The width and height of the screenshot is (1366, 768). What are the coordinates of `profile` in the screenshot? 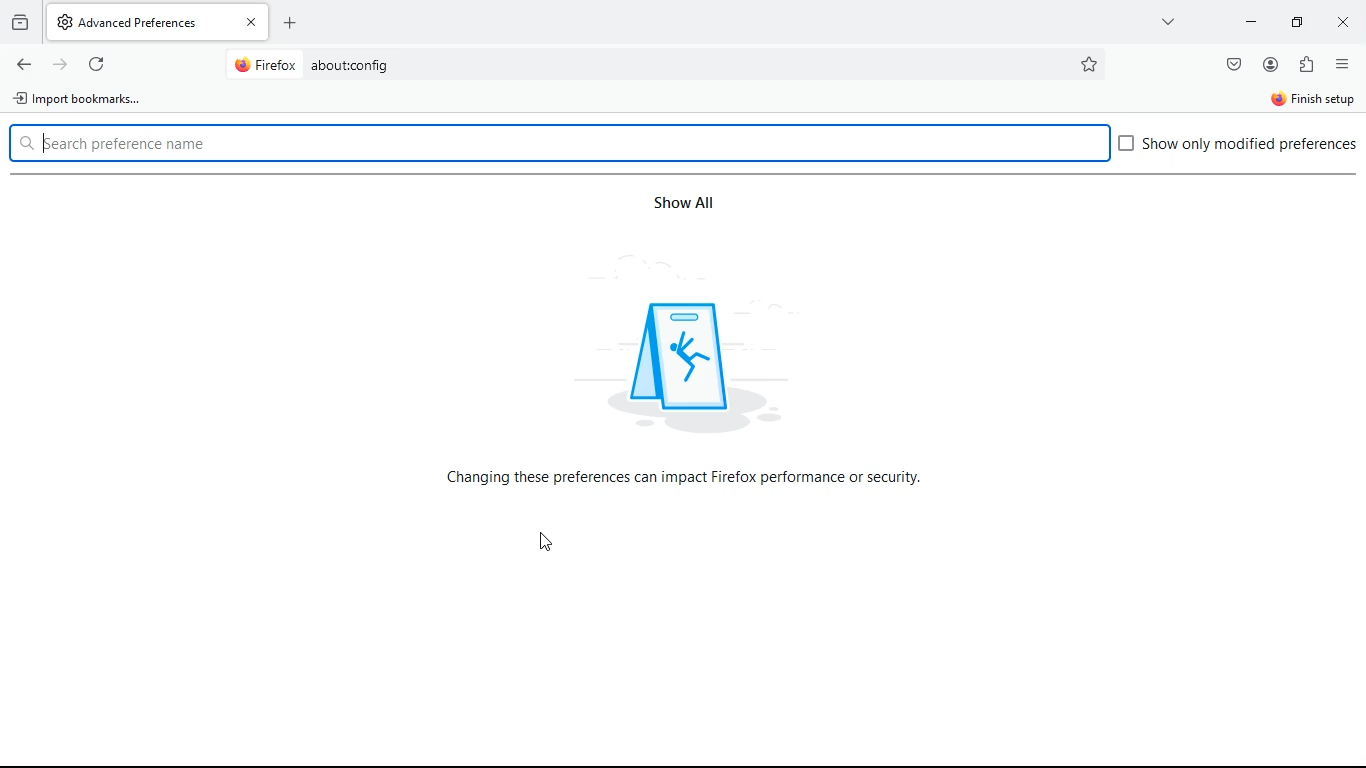 It's located at (1272, 65).